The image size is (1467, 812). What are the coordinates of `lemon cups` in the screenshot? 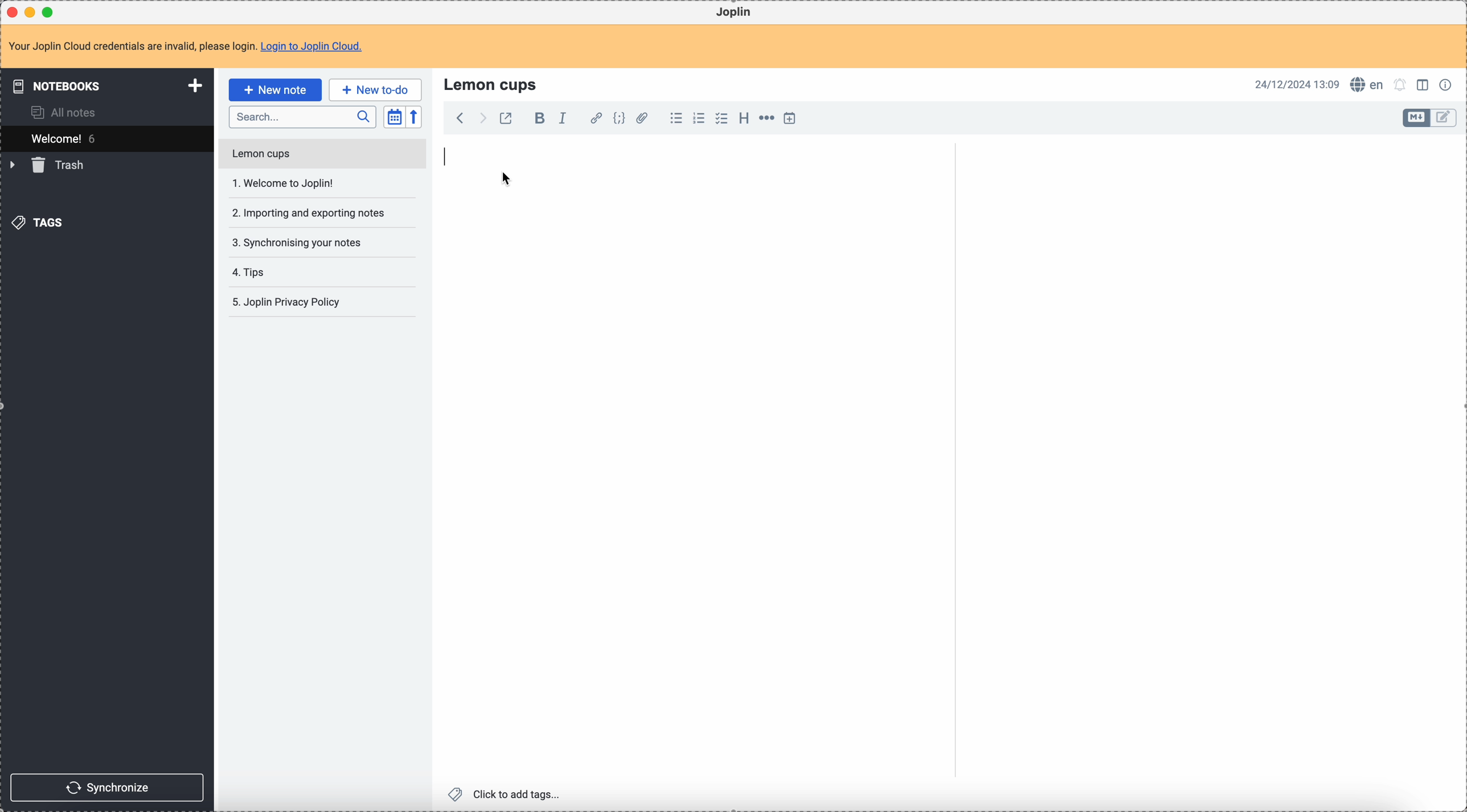 It's located at (493, 84).